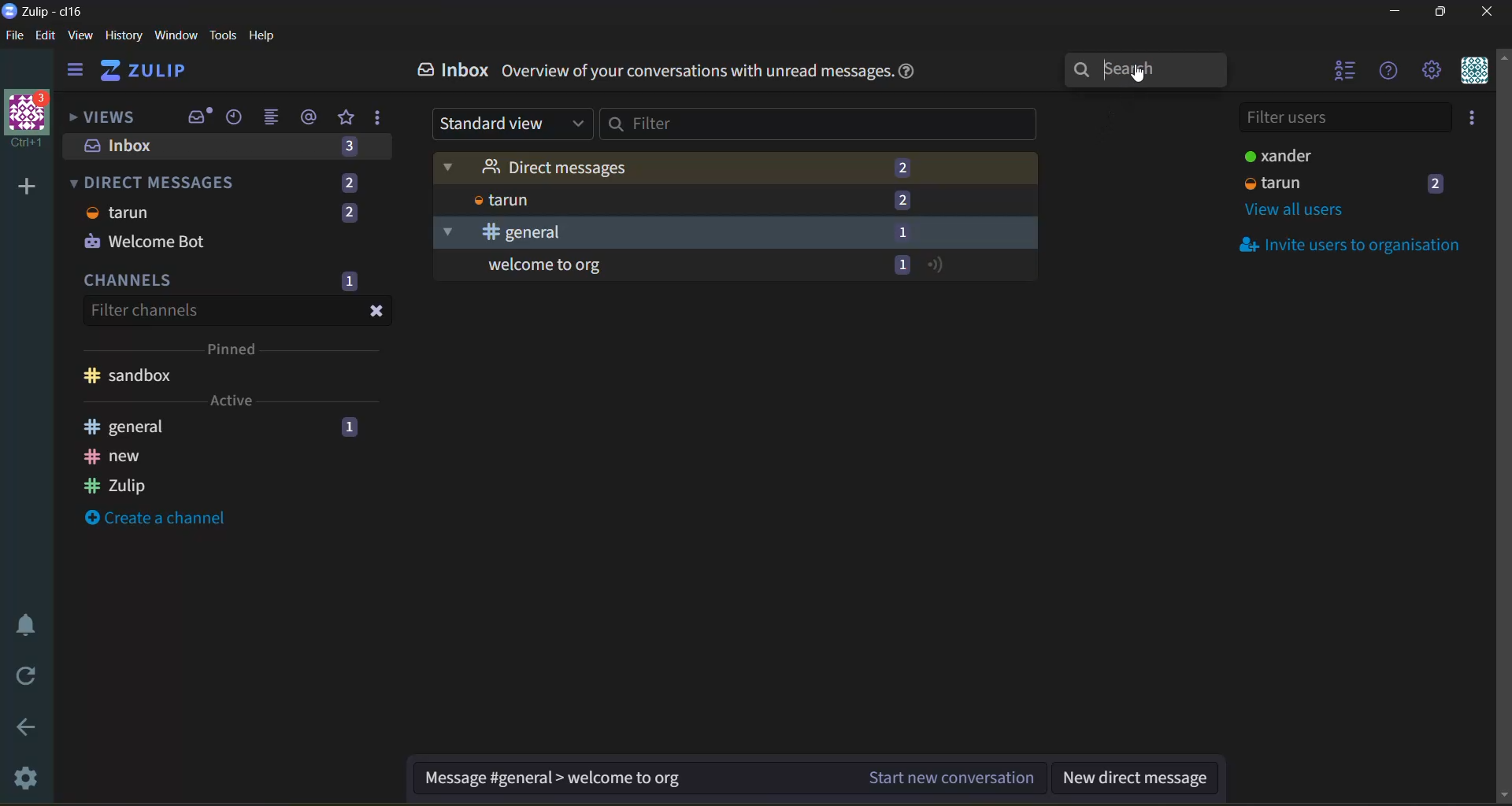 Image resolution: width=1512 pixels, height=806 pixels. What do you see at coordinates (939, 266) in the screenshot?
I see `icon` at bounding box center [939, 266].